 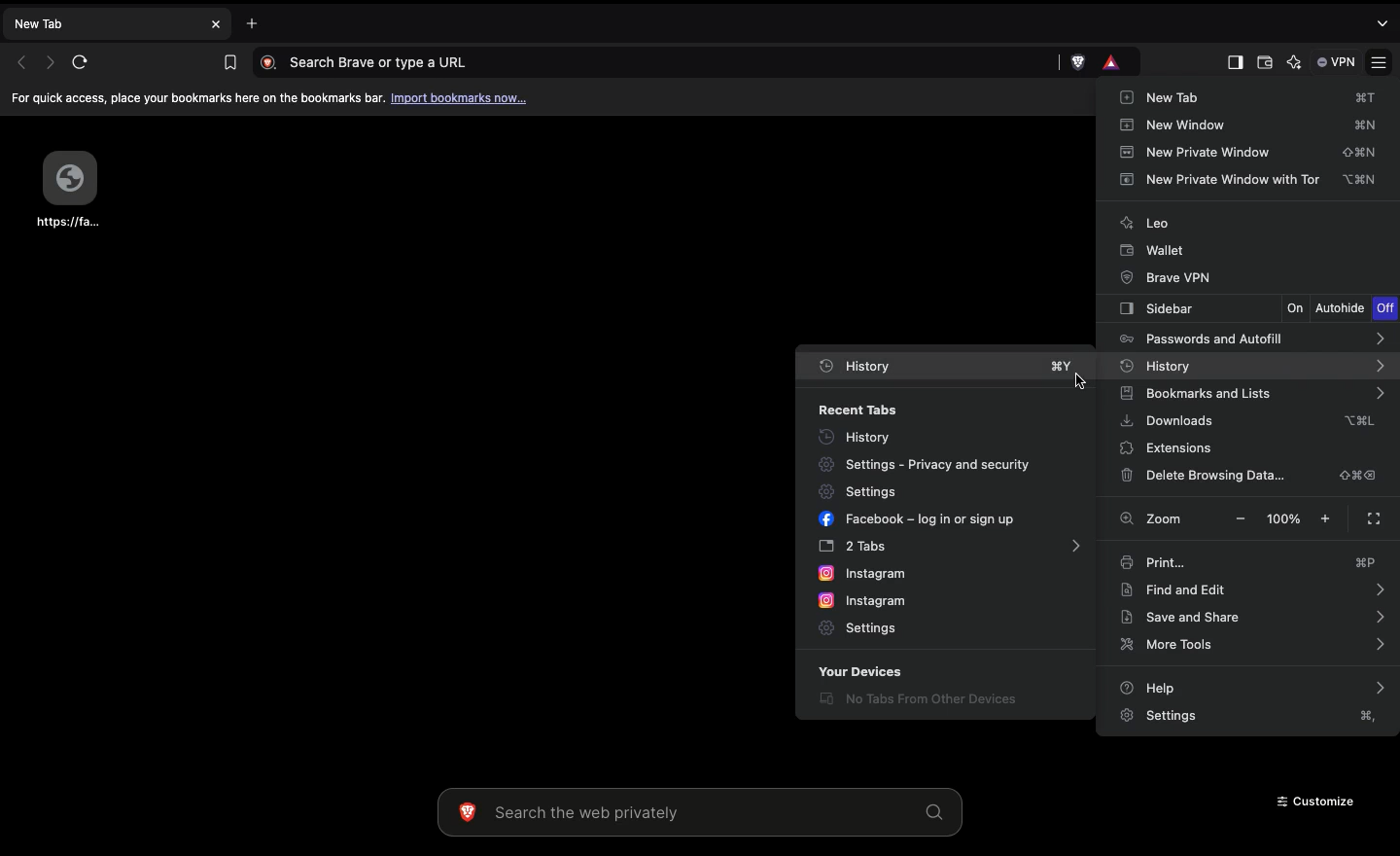 I want to click on Privacy and security, so click(x=927, y=467).